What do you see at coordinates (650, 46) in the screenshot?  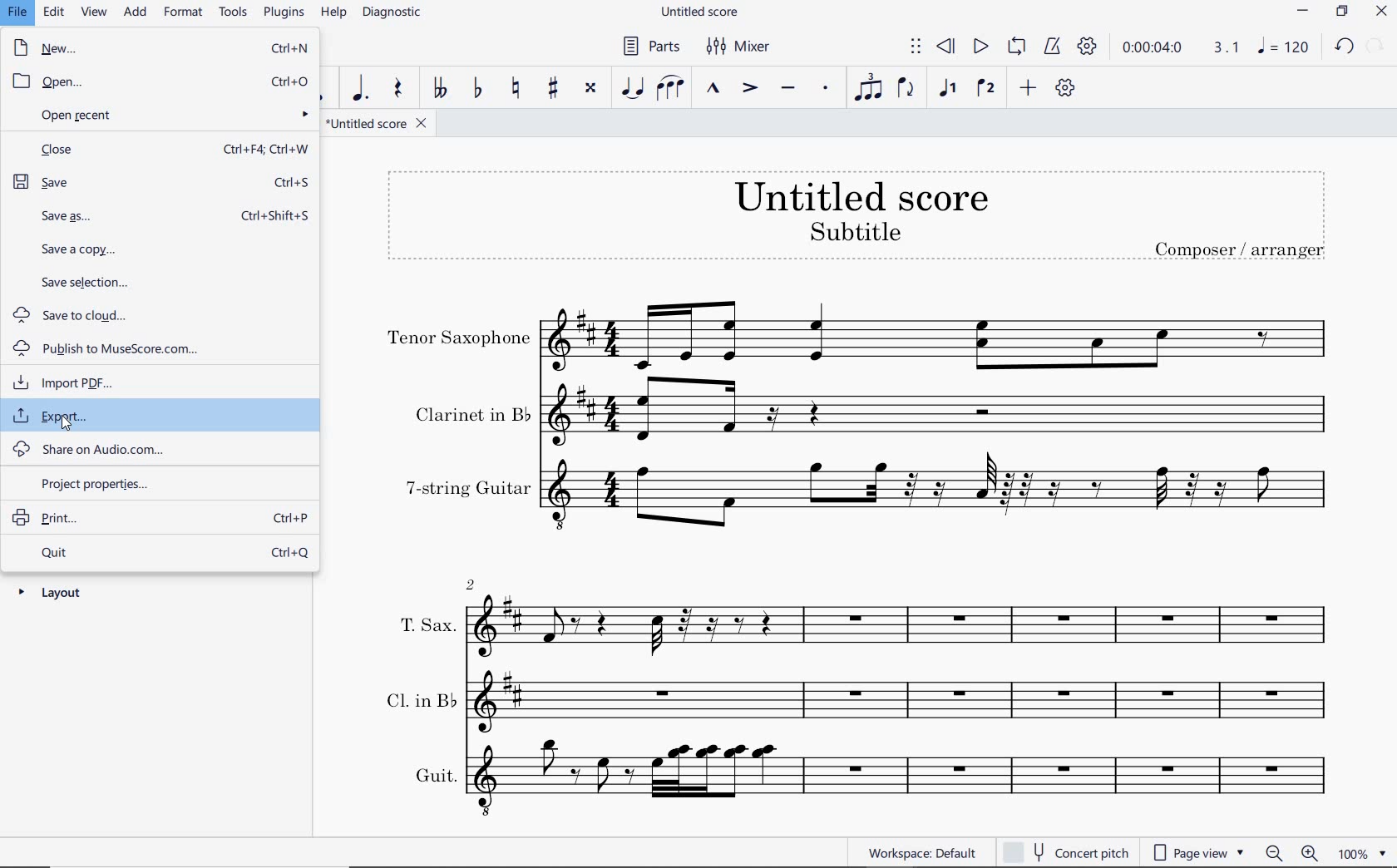 I see `PARTS` at bounding box center [650, 46].